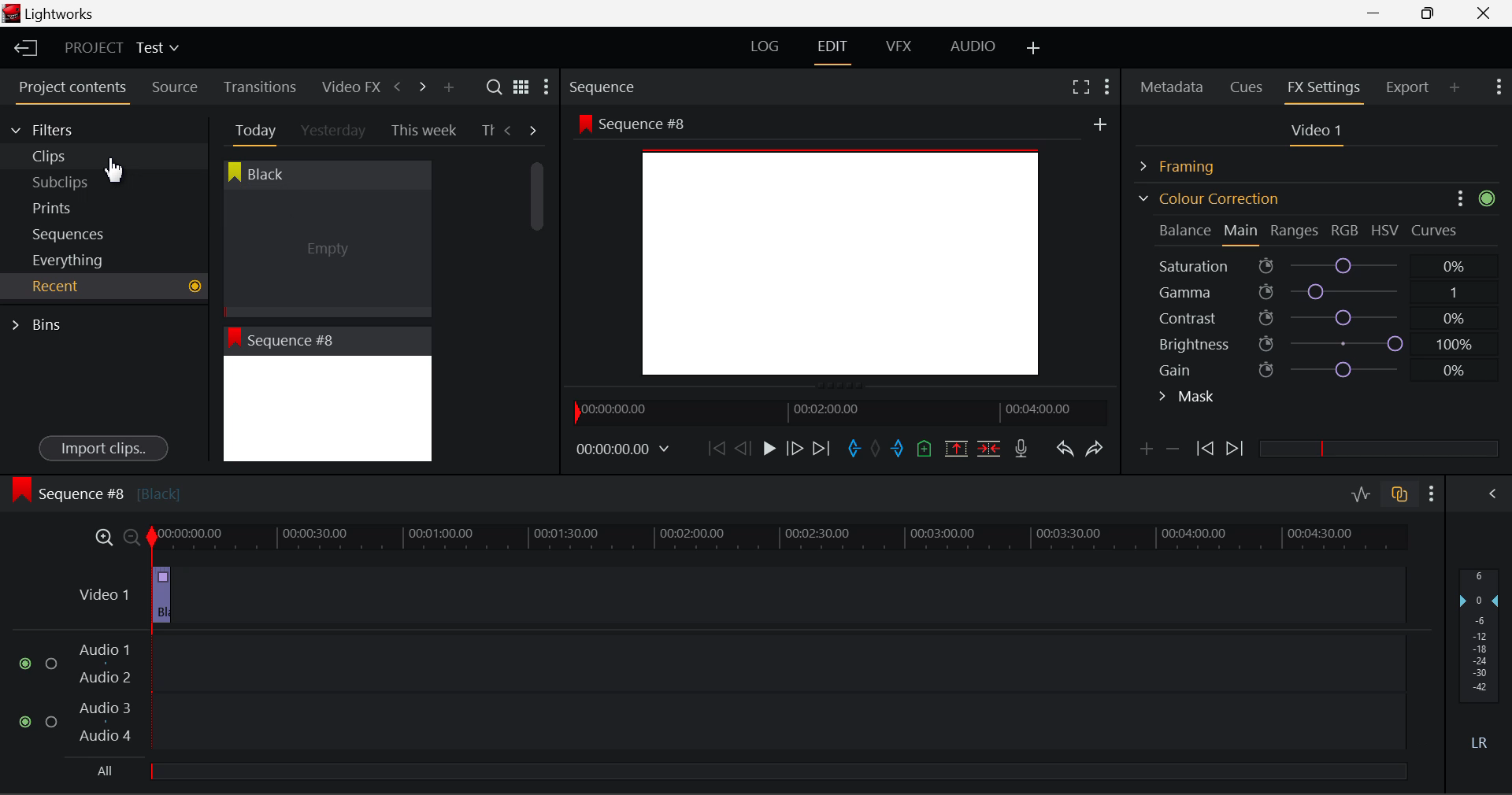  What do you see at coordinates (260, 87) in the screenshot?
I see `Transitions` at bounding box center [260, 87].